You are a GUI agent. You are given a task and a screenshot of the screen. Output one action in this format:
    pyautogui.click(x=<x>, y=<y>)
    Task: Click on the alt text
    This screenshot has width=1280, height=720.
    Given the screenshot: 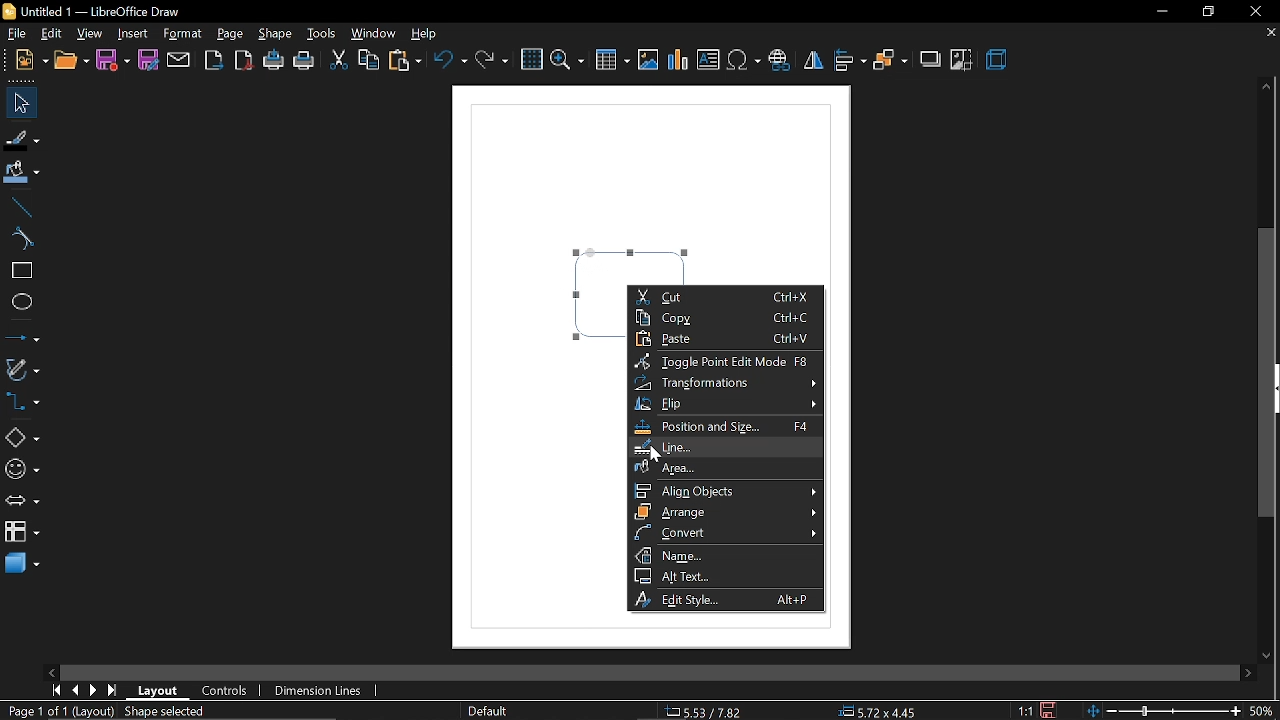 What is the action you would take?
    pyautogui.click(x=724, y=575)
    